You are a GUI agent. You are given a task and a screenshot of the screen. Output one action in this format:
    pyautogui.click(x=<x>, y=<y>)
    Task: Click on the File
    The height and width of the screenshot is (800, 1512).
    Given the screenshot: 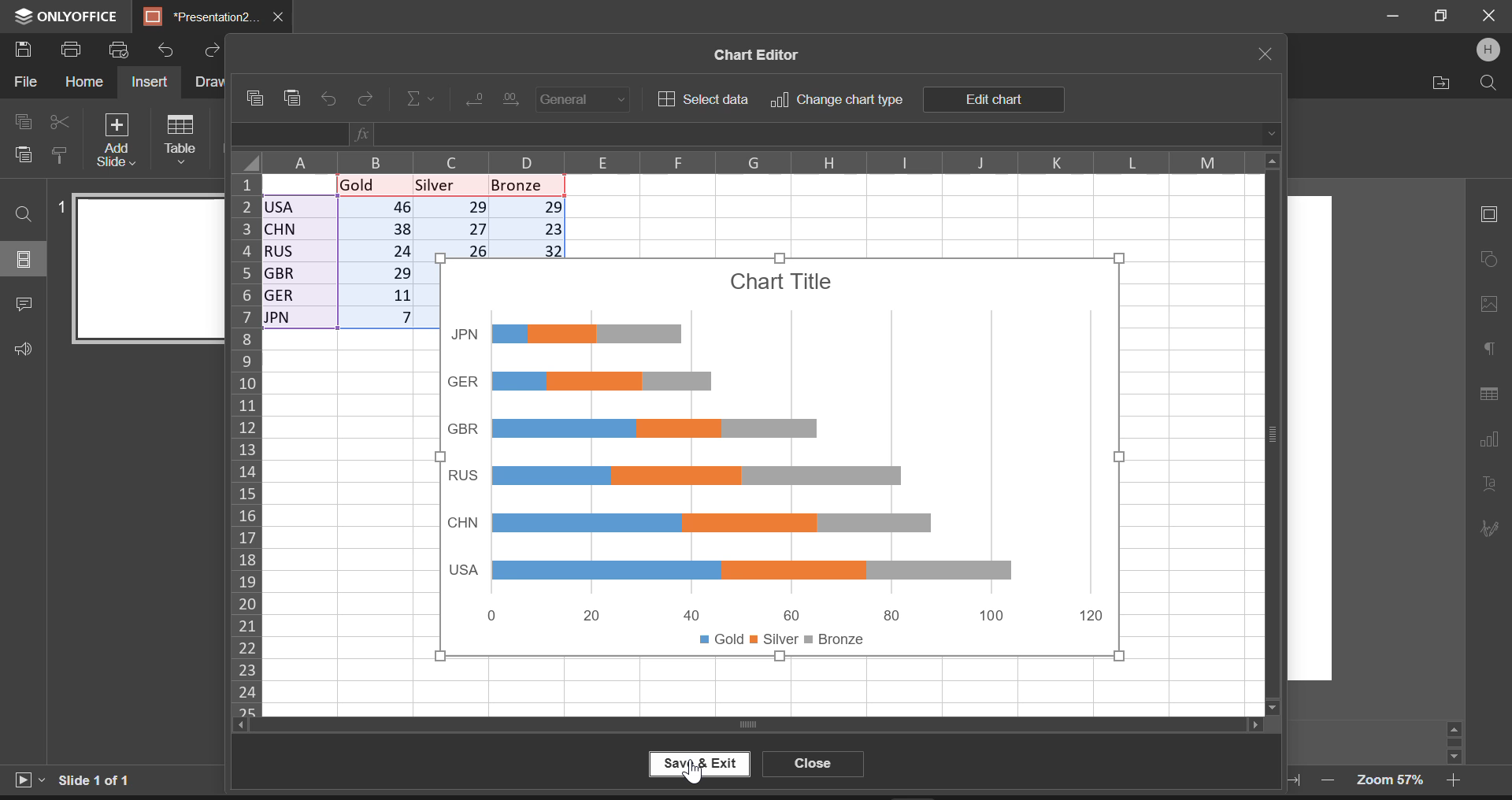 What is the action you would take?
    pyautogui.click(x=24, y=85)
    